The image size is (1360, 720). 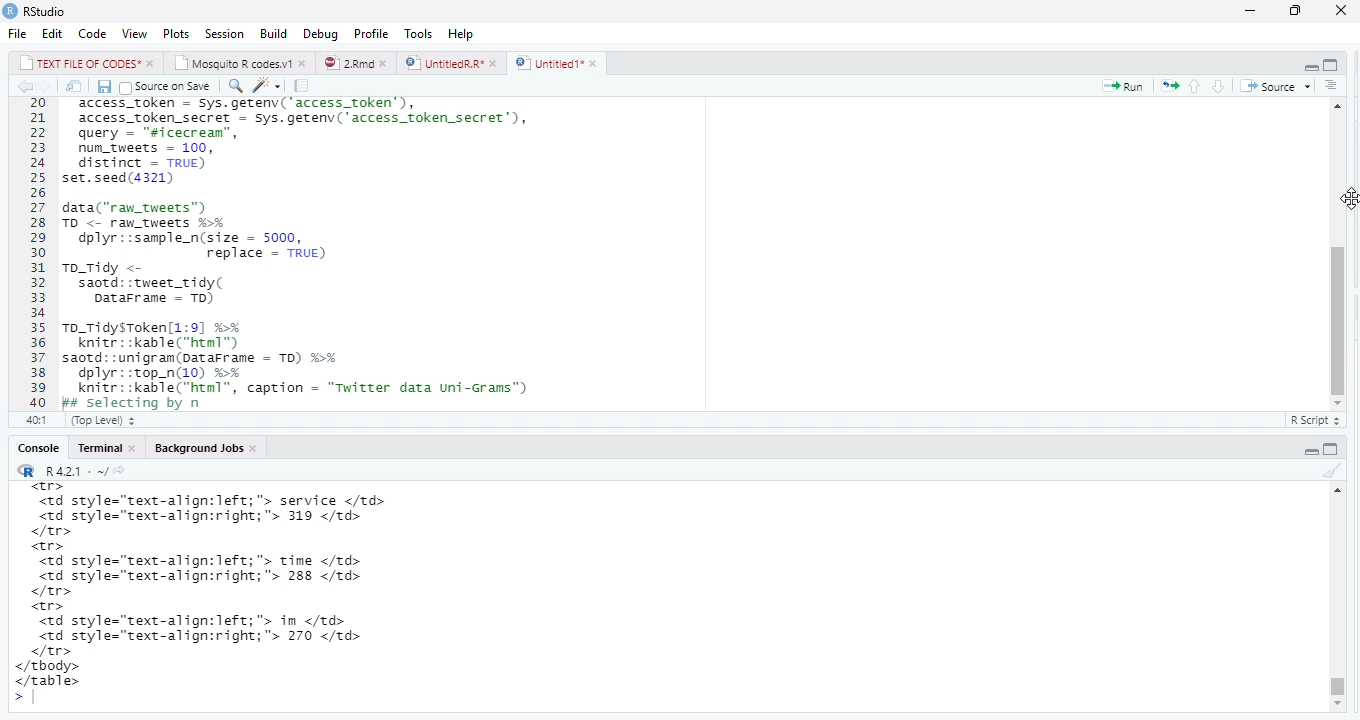 What do you see at coordinates (134, 32) in the screenshot?
I see `View` at bounding box center [134, 32].